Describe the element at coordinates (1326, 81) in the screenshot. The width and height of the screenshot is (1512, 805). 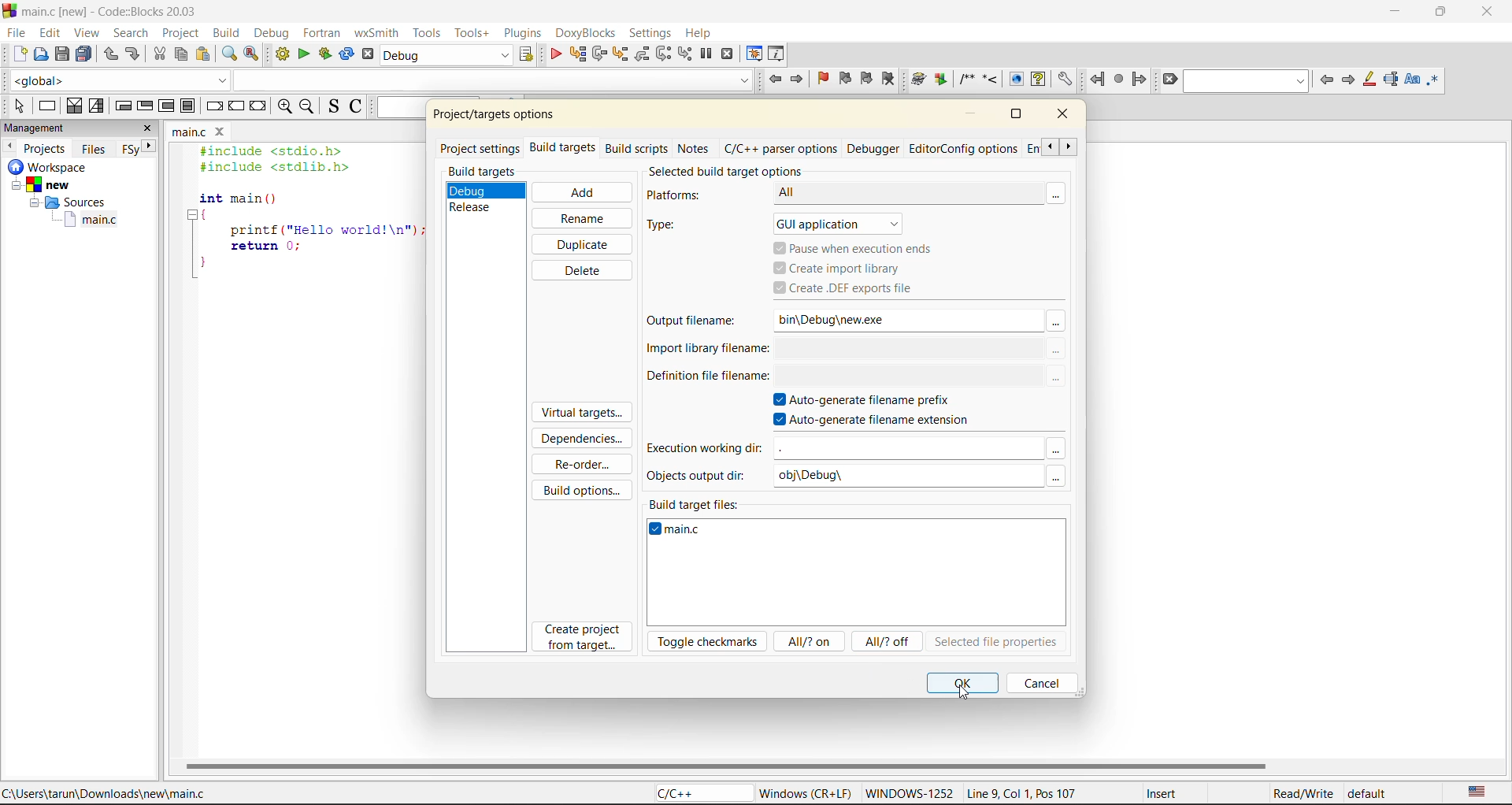
I see `previous` at that location.